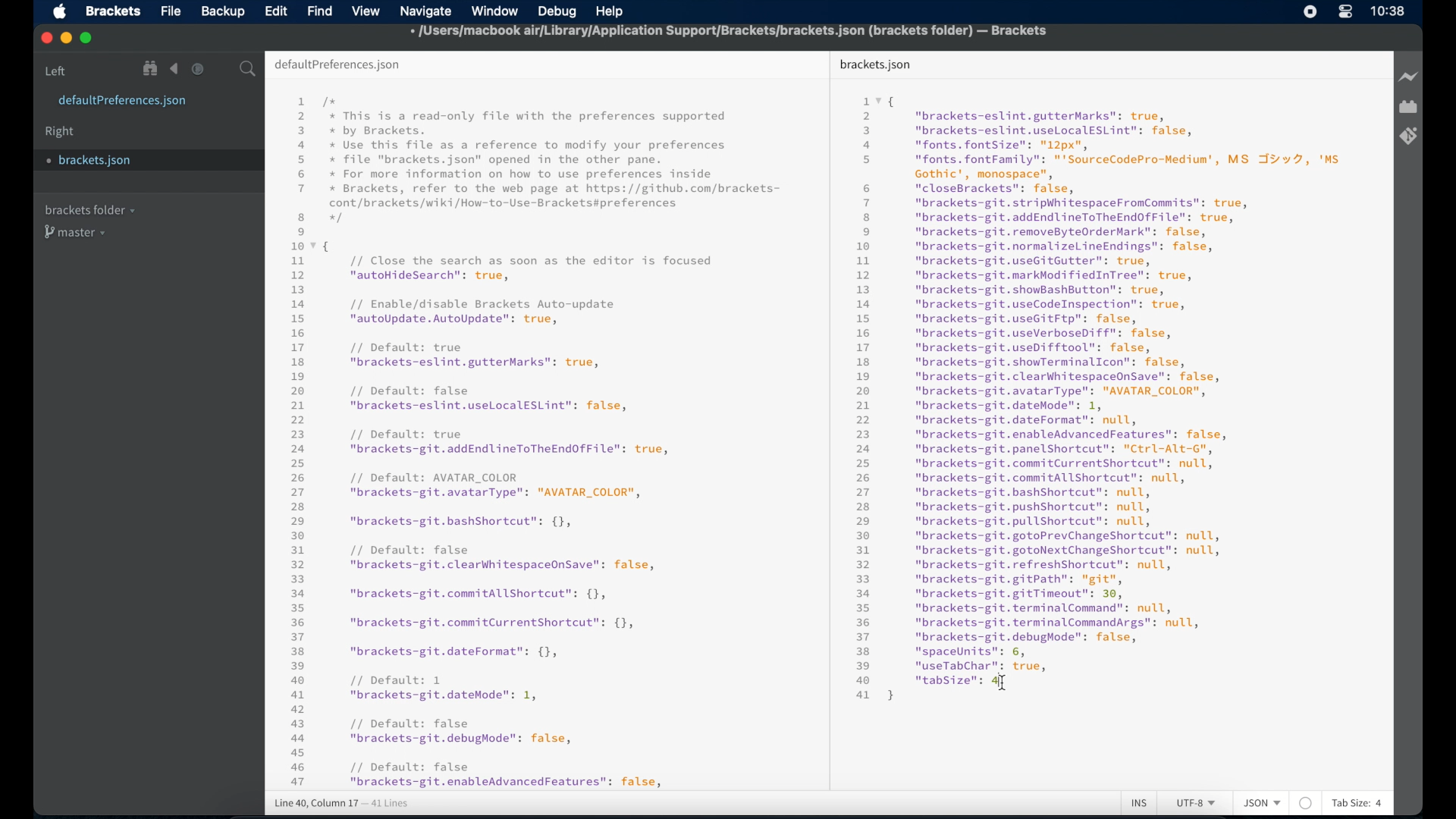 This screenshot has width=1456, height=819. What do you see at coordinates (1306, 804) in the screenshot?
I see `no linter available for json` at bounding box center [1306, 804].